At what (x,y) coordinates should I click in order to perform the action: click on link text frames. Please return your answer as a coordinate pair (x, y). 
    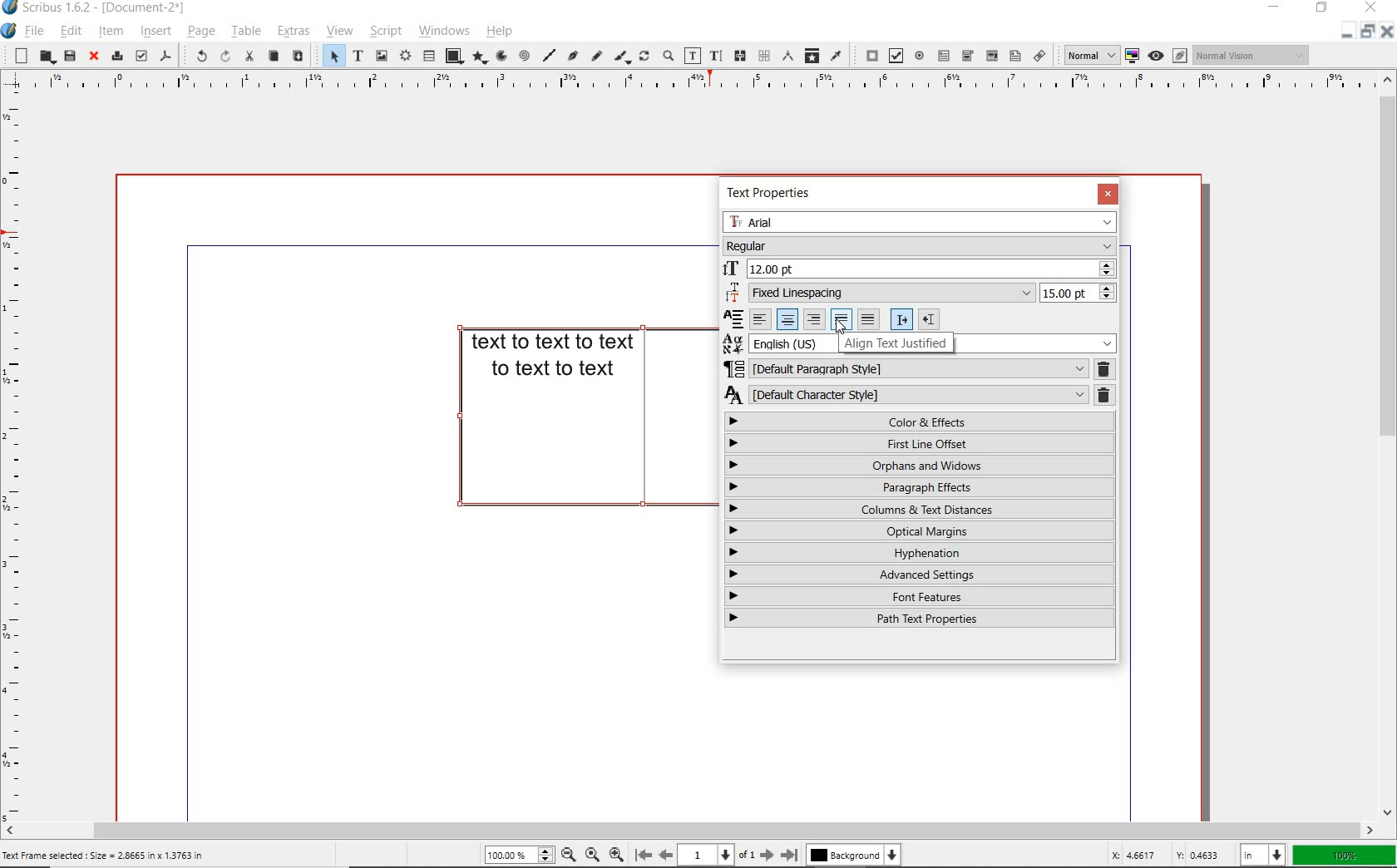
    Looking at the image, I should click on (740, 57).